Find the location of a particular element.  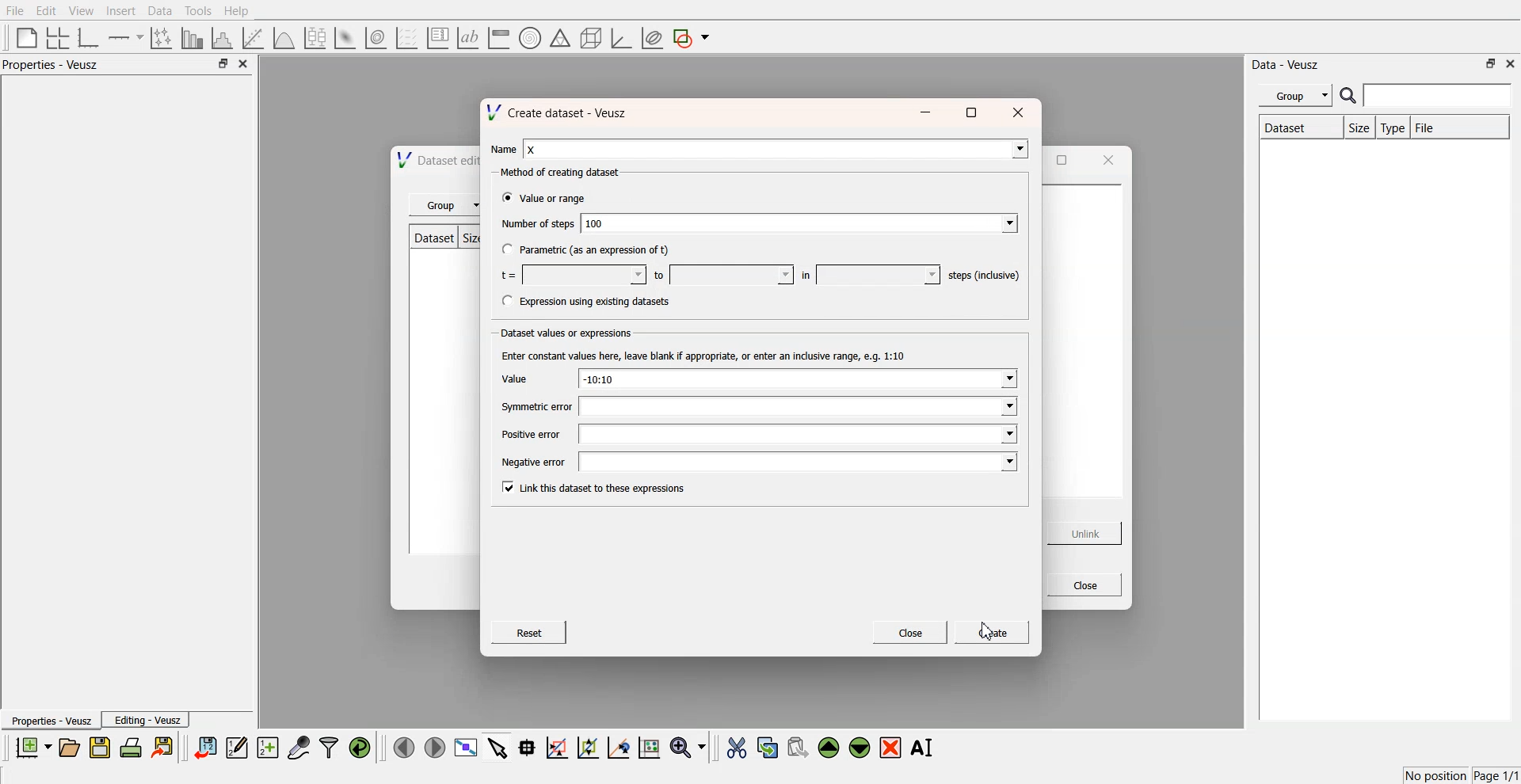

3d graph is located at coordinates (620, 39).